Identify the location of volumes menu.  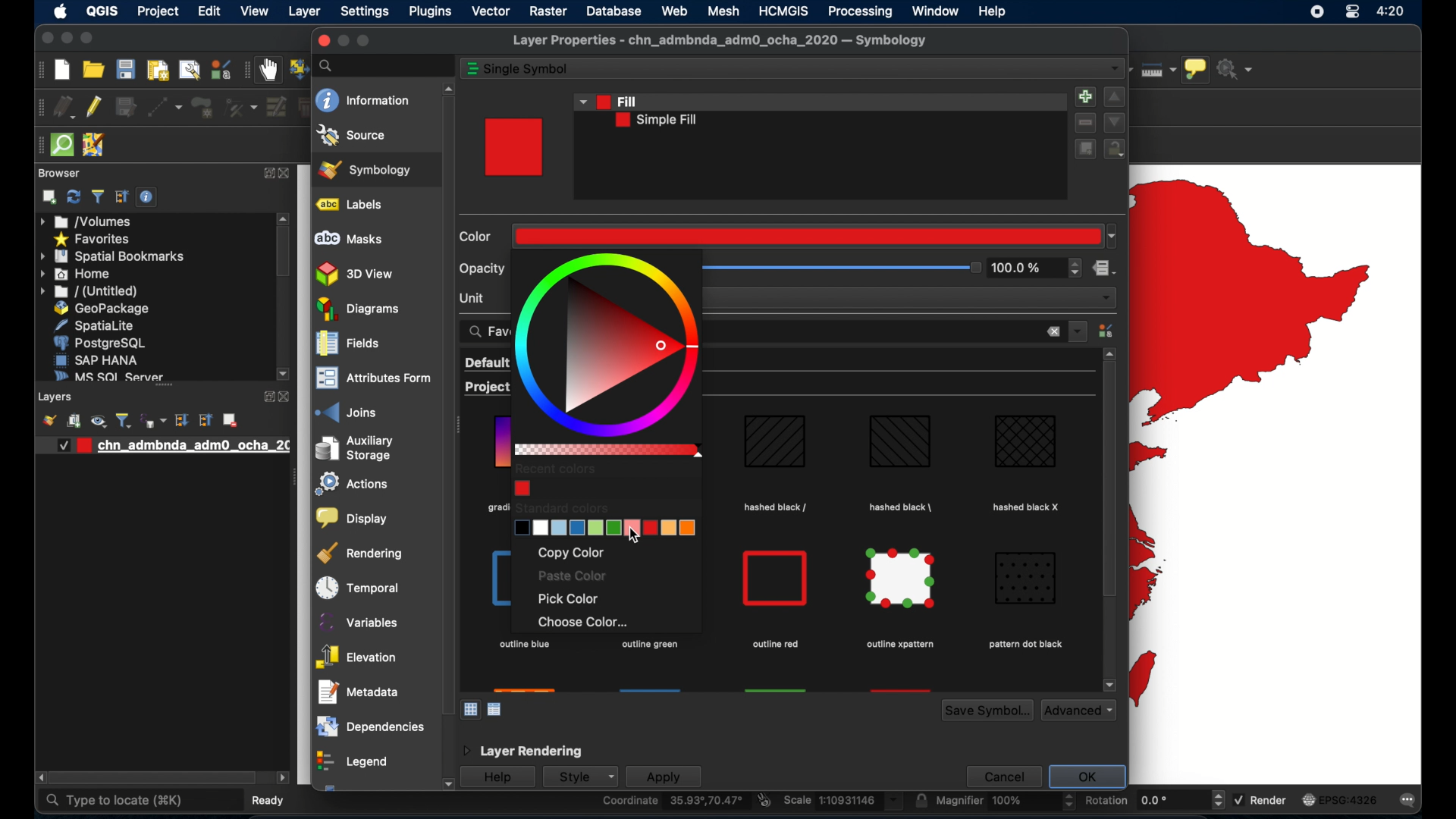
(87, 221).